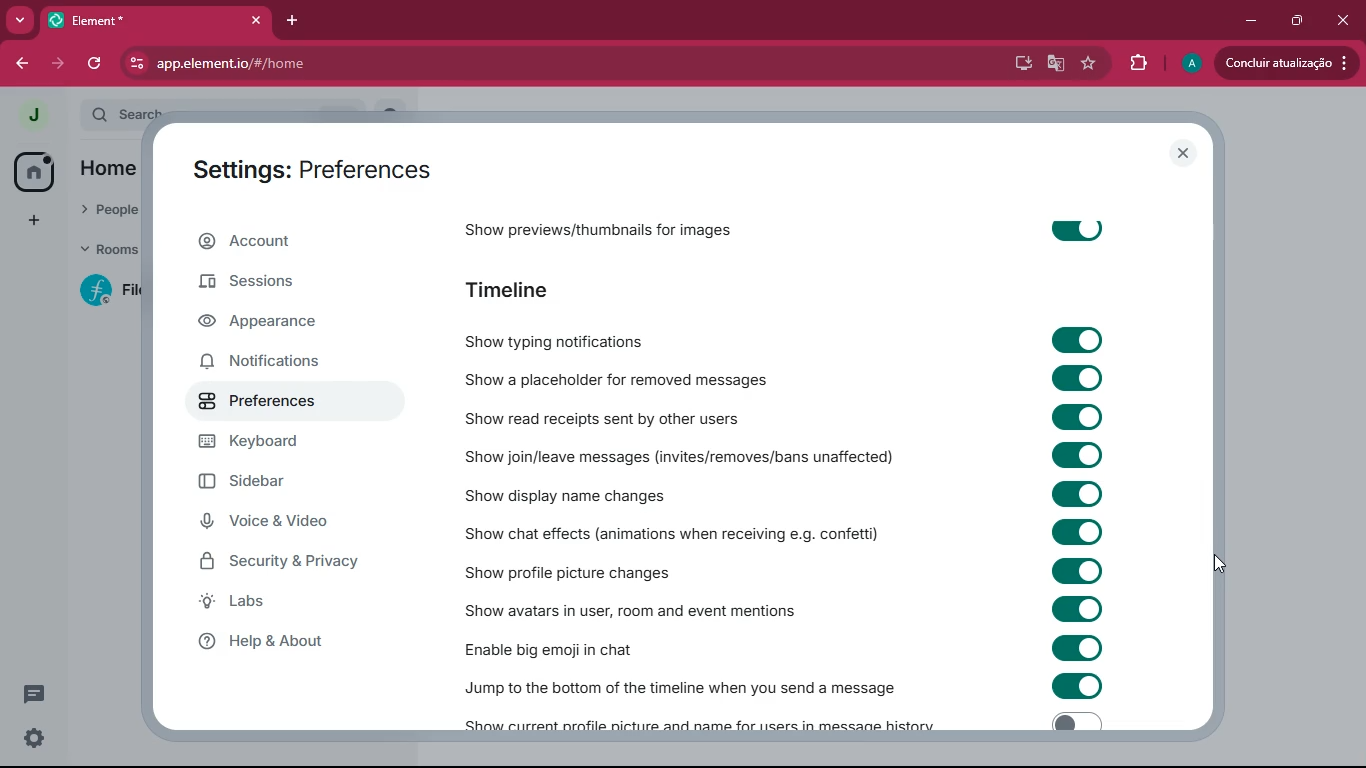 Image resolution: width=1366 pixels, height=768 pixels. What do you see at coordinates (32, 116) in the screenshot?
I see `j` at bounding box center [32, 116].